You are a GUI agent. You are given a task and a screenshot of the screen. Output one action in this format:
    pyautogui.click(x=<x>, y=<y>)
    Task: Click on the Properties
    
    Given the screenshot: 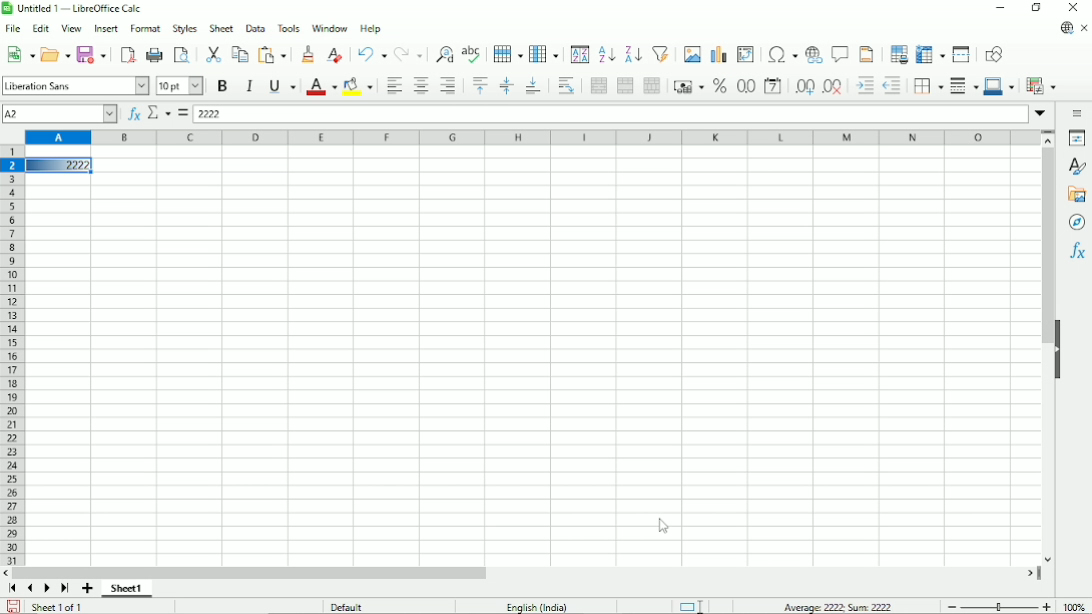 What is the action you would take?
    pyautogui.click(x=1077, y=138)
    